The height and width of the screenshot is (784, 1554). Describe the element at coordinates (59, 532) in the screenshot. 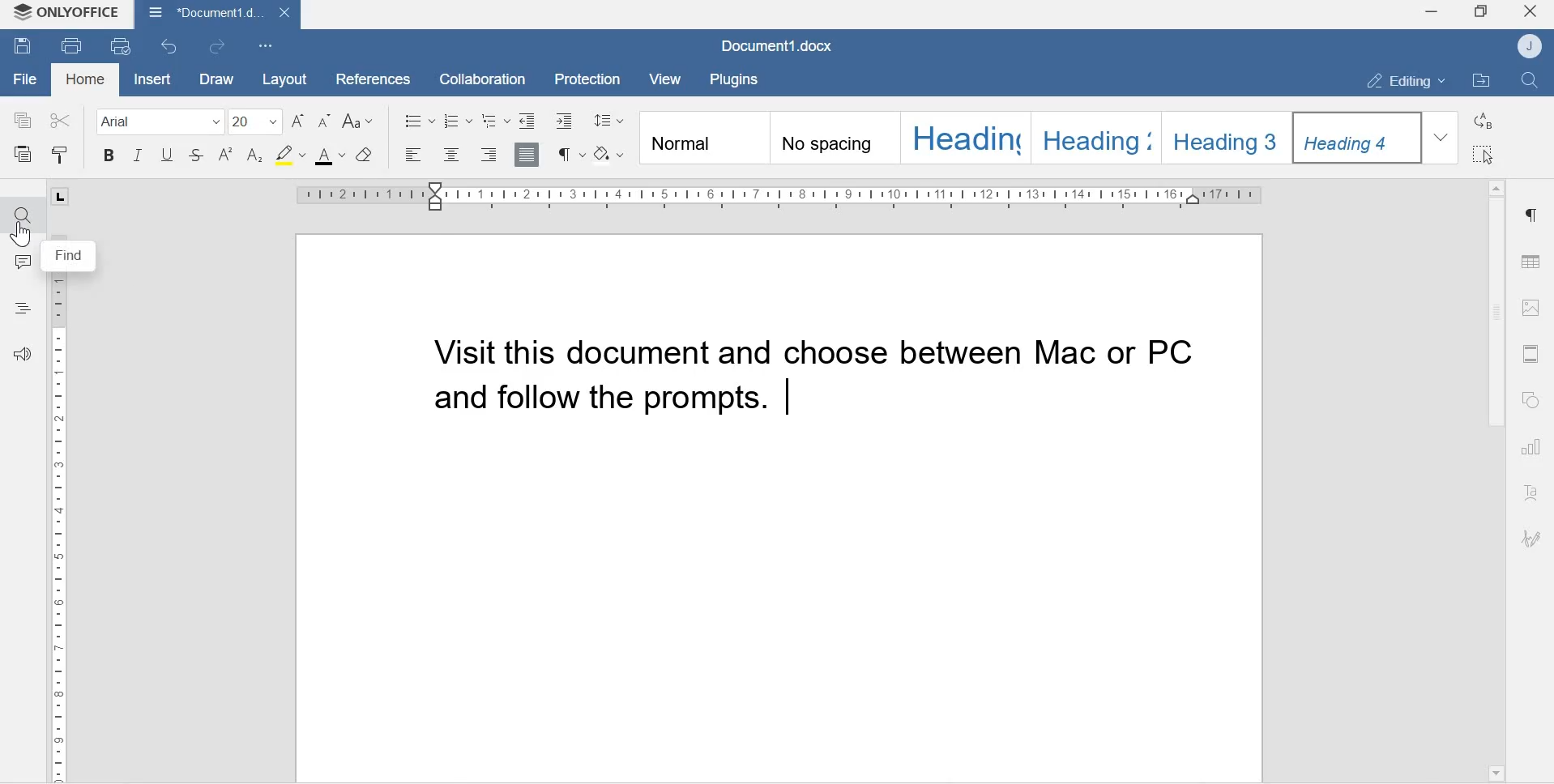

I see `Scale` at that location.